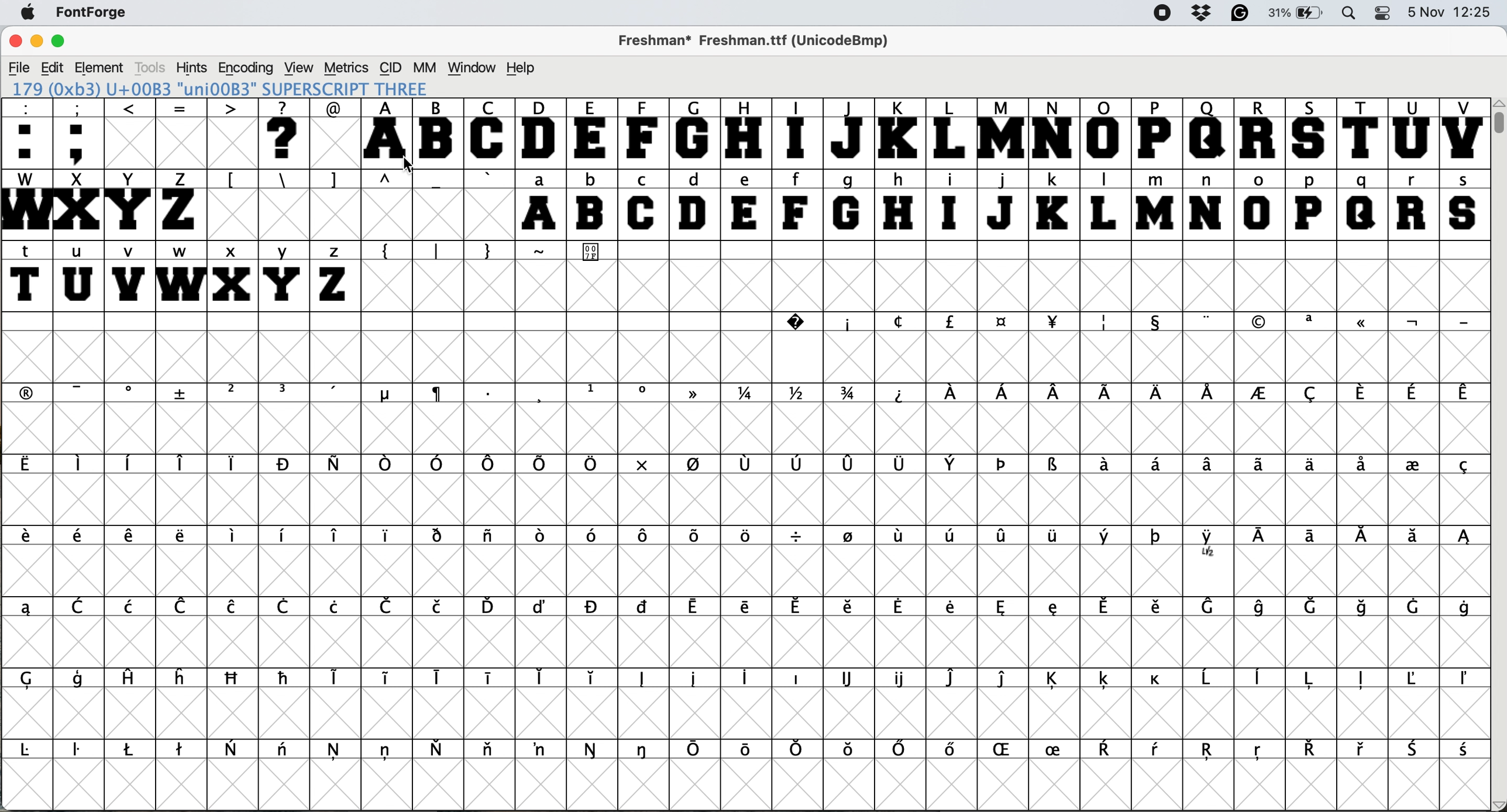 This screenshot has width=1507, height=812. Describe the element at coordinates (336, 276) in the screenshot. I see `z` at that location.